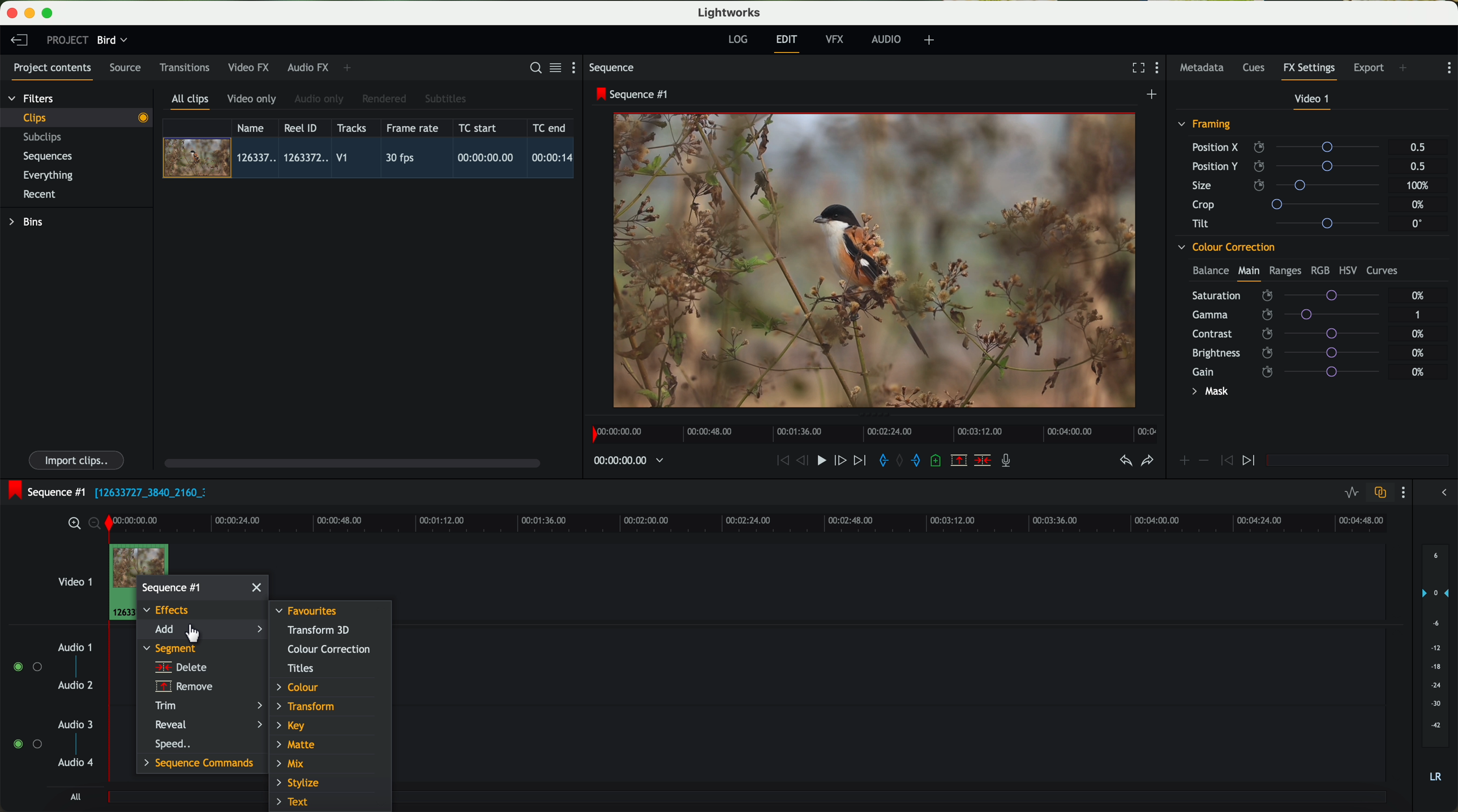 This screenshot has height=812, width=1458. Describe the element at coordinates (778, 522) in the screenshot. I see `timeline` at that location.